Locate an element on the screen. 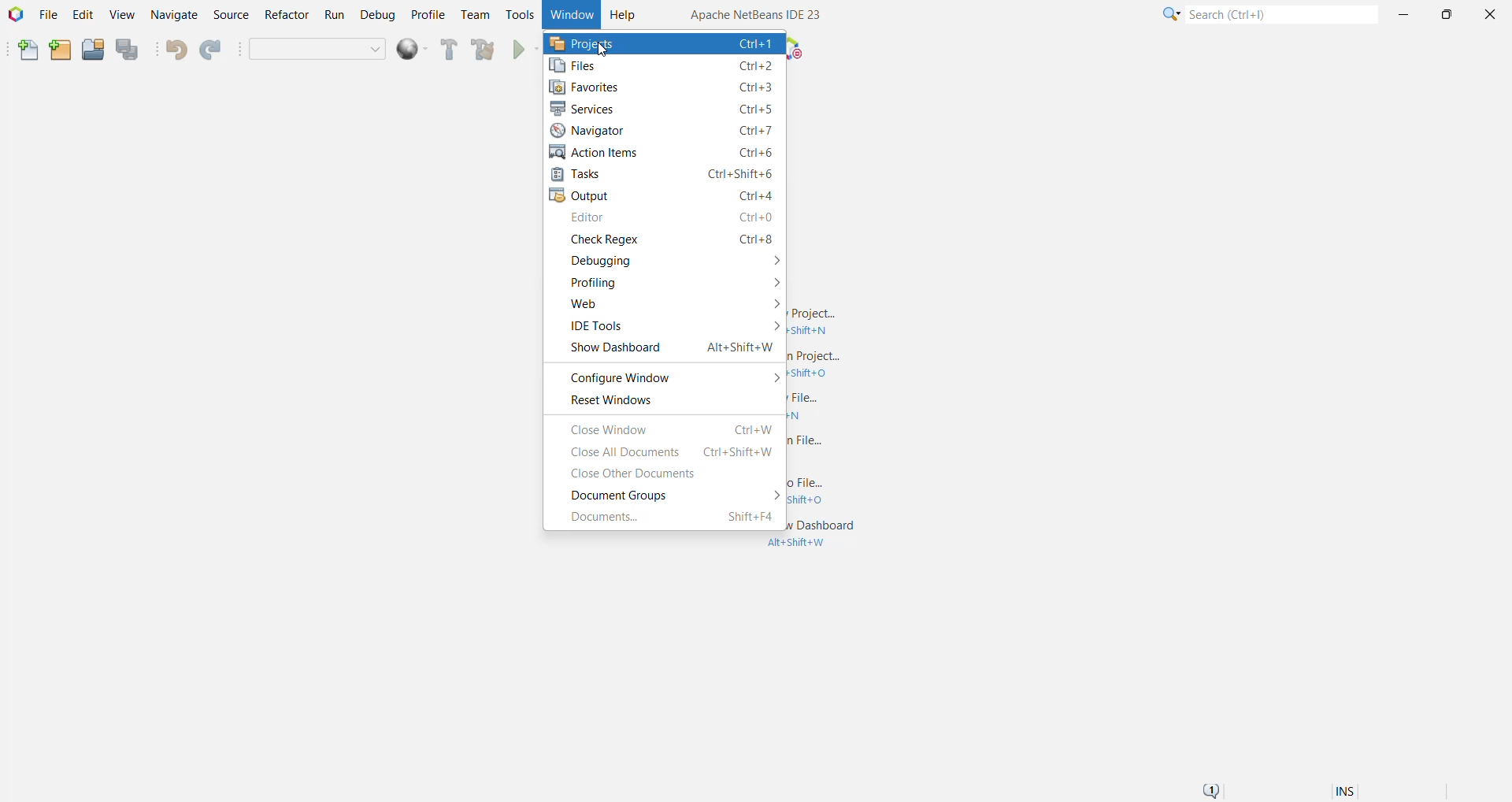 The width and height of the screenshot is (1512, 802). Close All Documents is located at coordinates (670, 452).